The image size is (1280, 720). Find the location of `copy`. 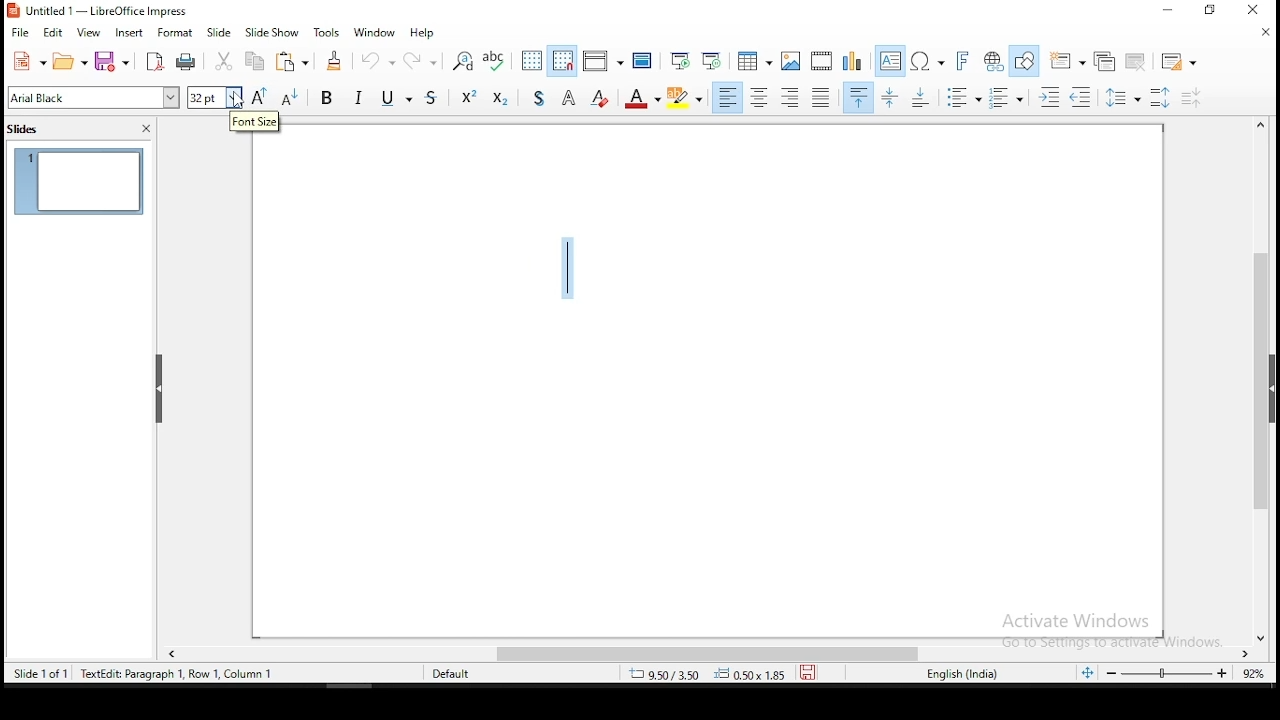

copy is located at coordinates (253, 61).